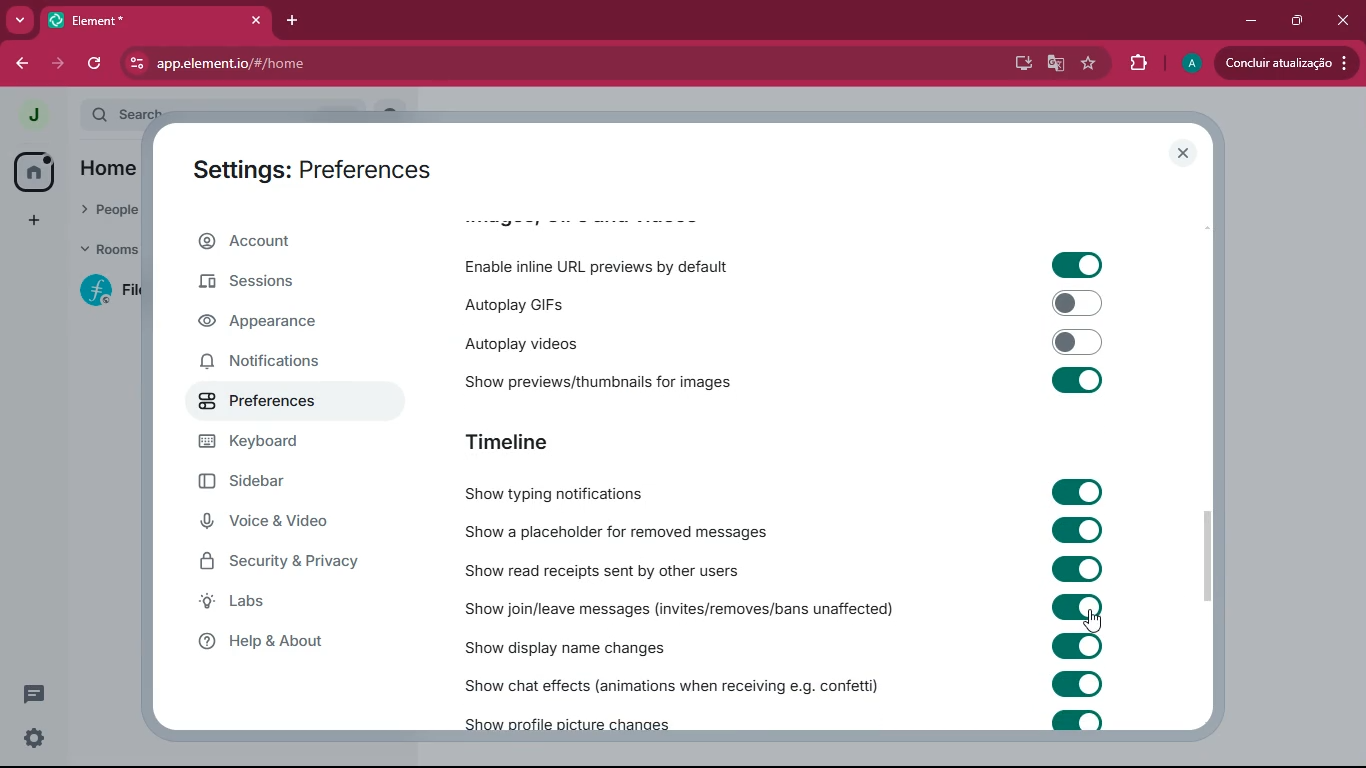 The width and height of the screenshot is (1366, 768). I want to click on add, so click(34, 222).